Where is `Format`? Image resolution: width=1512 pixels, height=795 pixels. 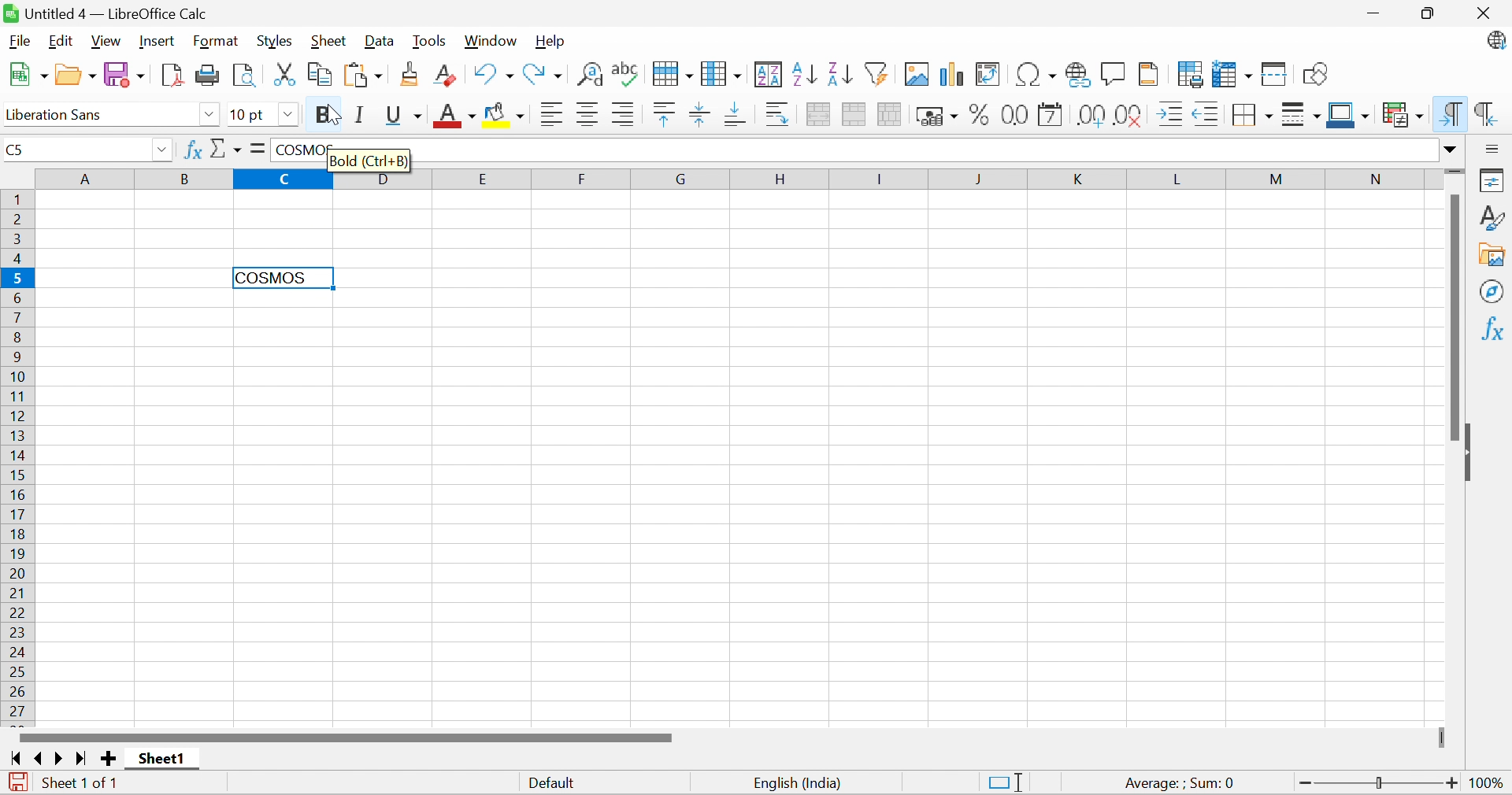 Format is located at coordinates (216, 41).